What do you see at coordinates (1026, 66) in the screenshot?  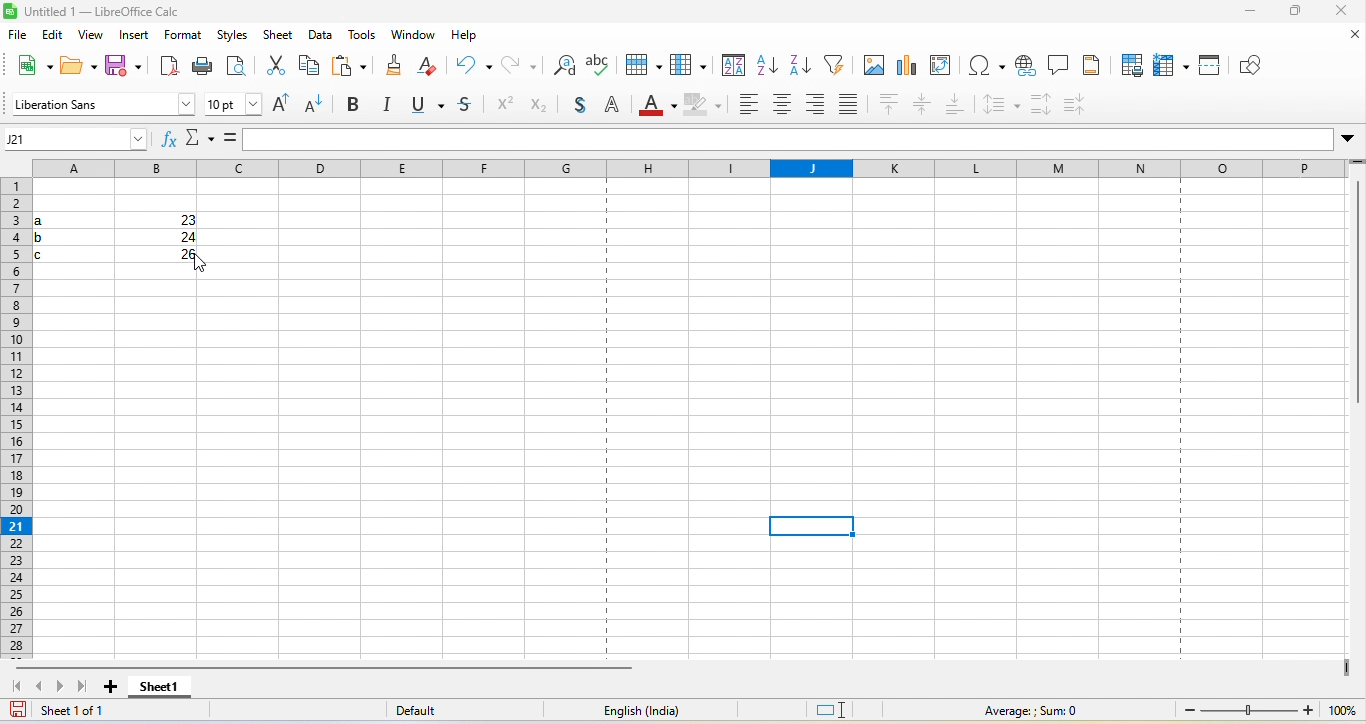 I see `hyperlink` at bounding box center [1026, 66].